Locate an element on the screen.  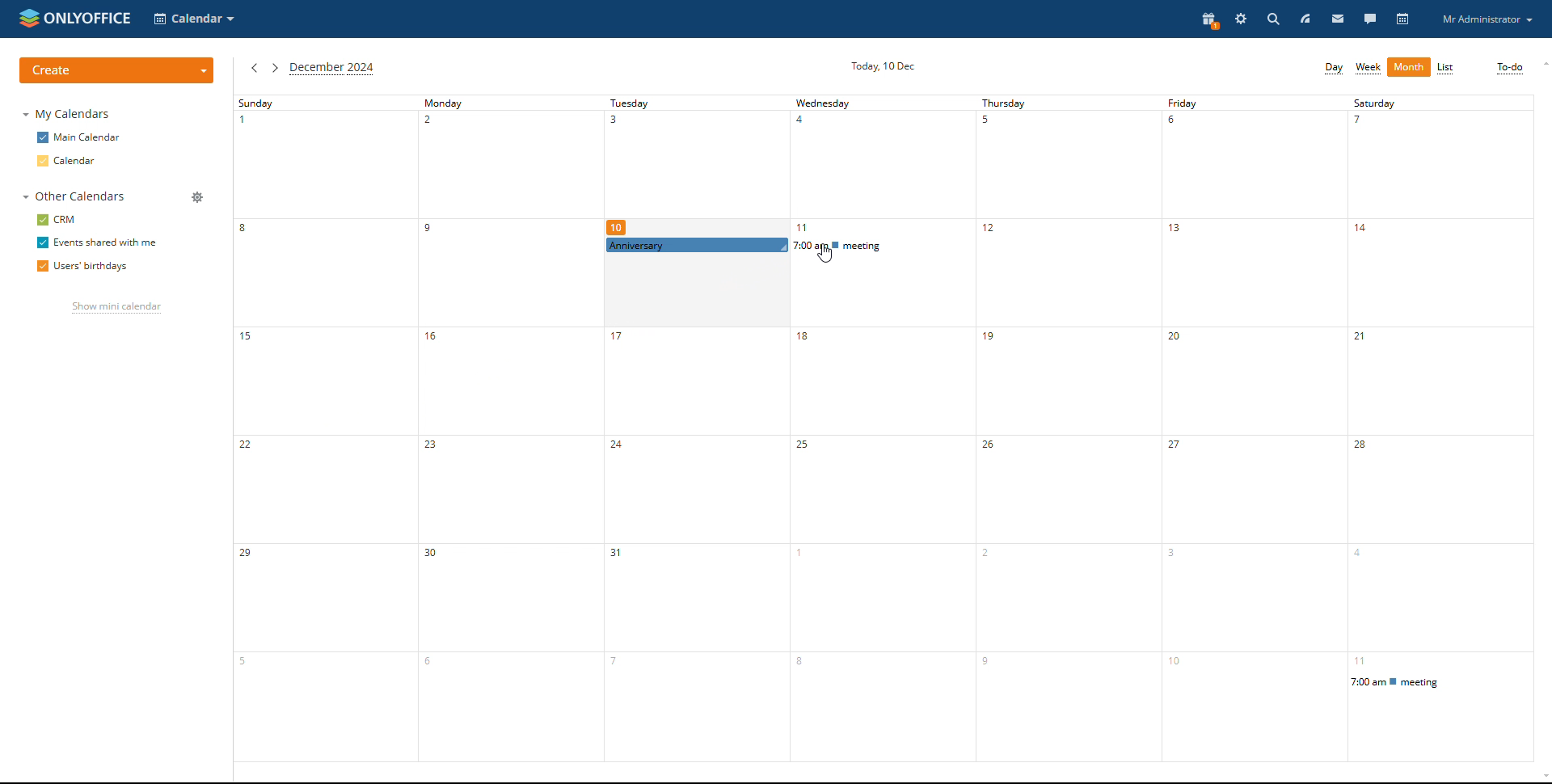
show mini calendar is located at coordinates (116, 309).